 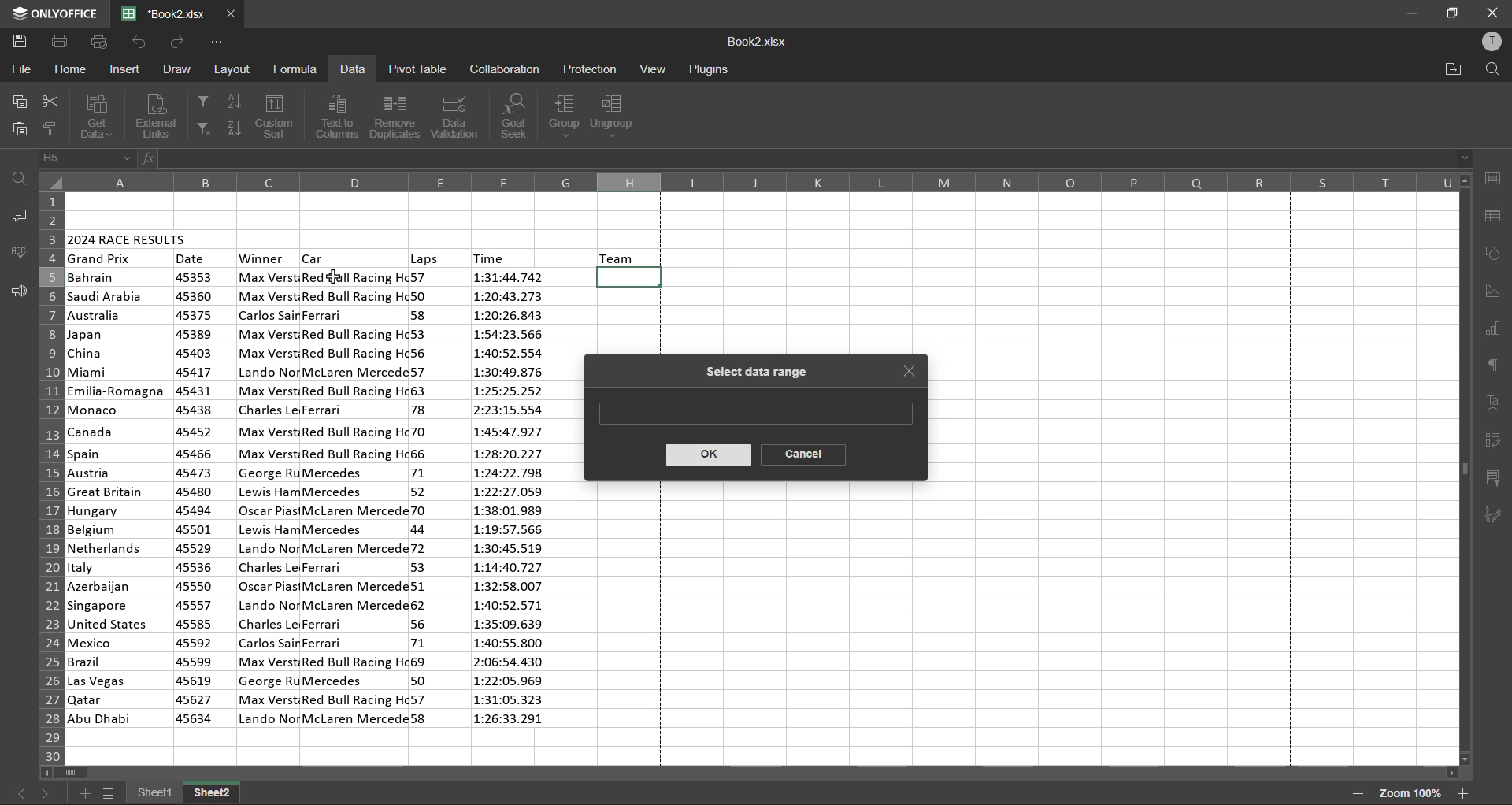 I want to click on zoom factor, so click(x=1413, y=792).